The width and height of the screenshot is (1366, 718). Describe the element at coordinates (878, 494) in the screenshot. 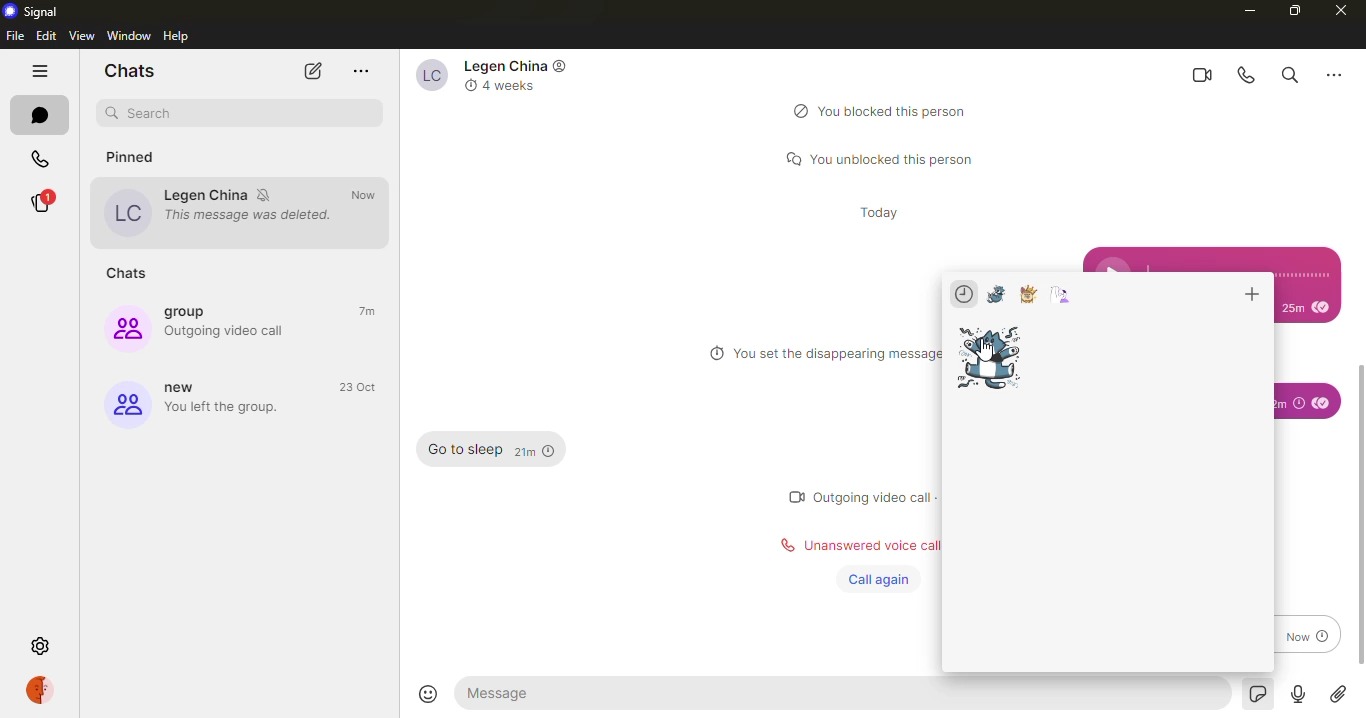

I see `outgoing video call 20m` at that location.